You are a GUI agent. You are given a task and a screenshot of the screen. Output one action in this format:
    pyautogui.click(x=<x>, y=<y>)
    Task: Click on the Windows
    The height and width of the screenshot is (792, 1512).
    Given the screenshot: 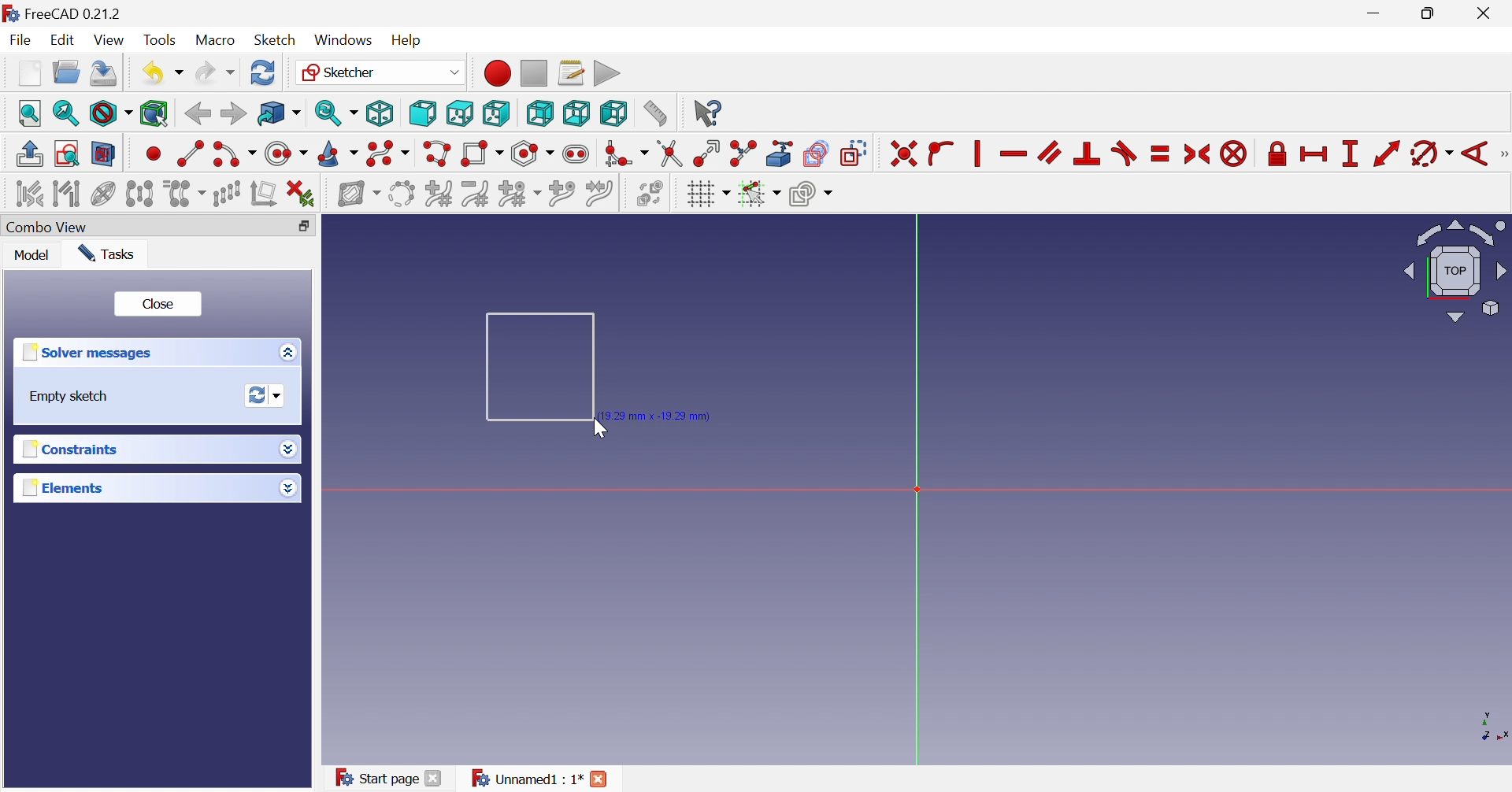 What is the action you would take?
    pyautogui.click(x=343, y=41)
    